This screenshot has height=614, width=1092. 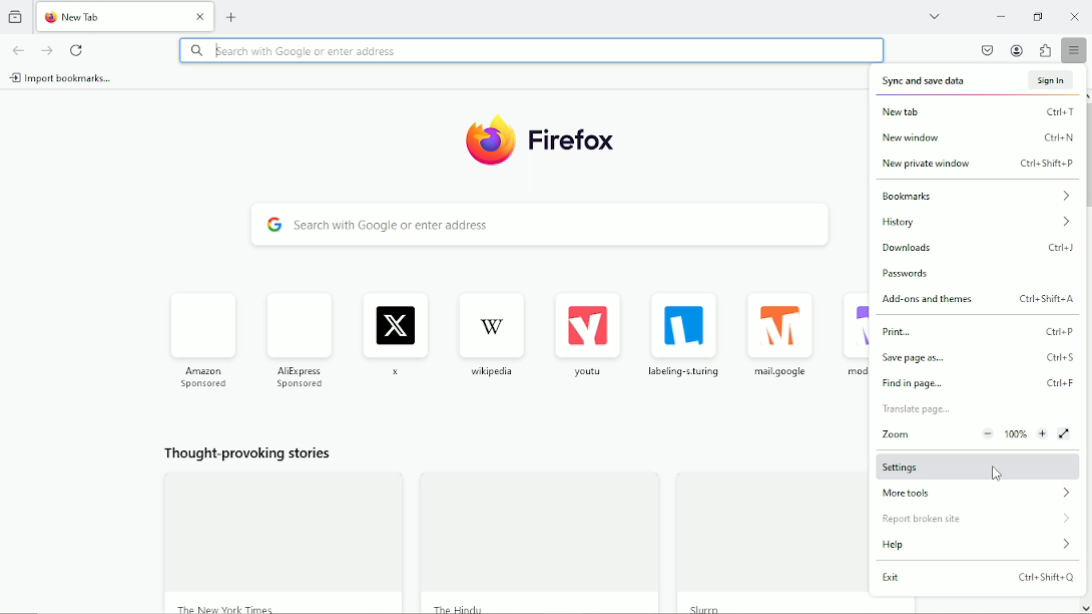 I want to click on AliExpress, so click(x=302, y=339).